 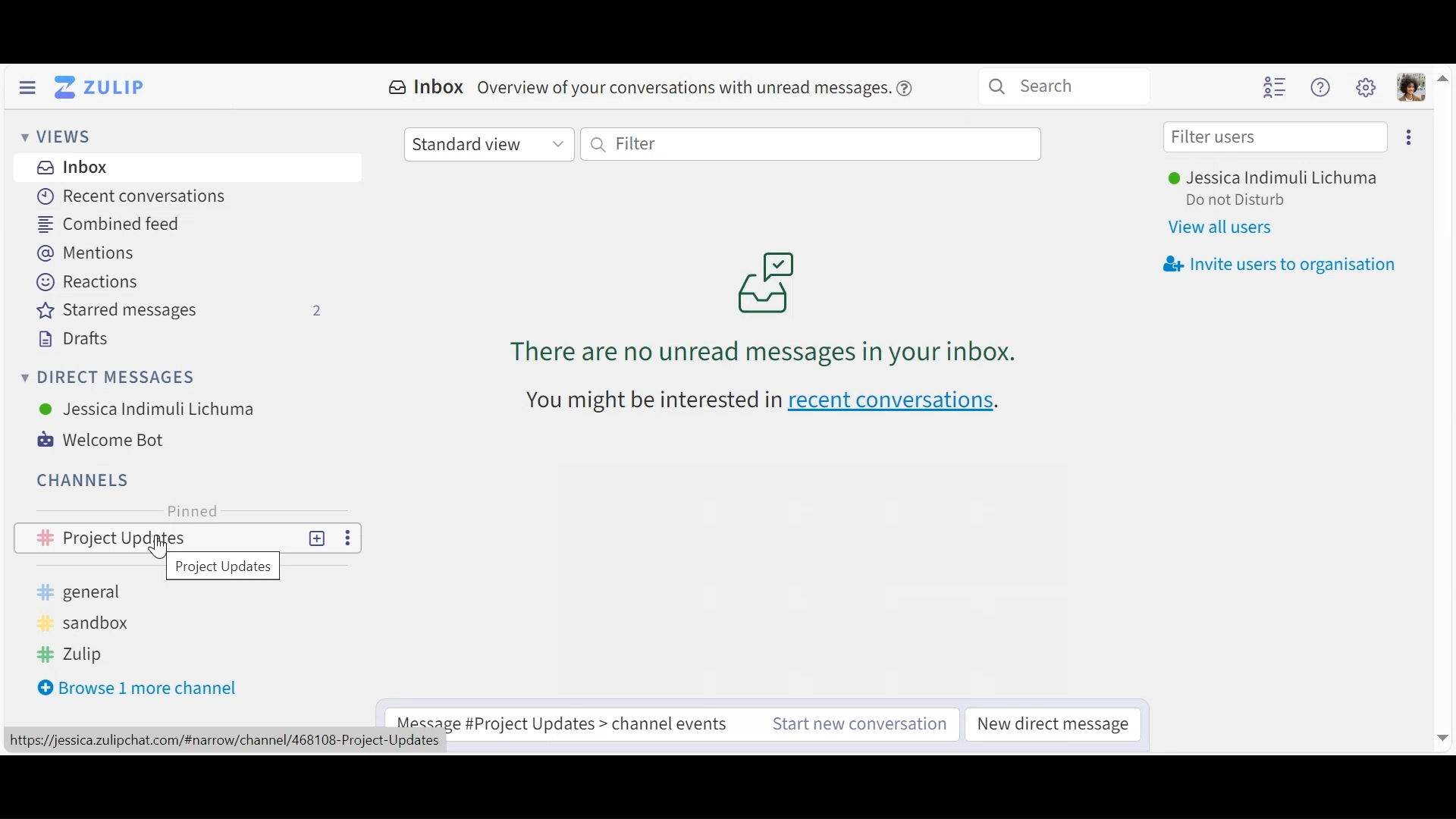 What do you see at coordinates (27, 88) in the screenshot?
I see `Hide Left Sidebar` at bounding box center [27, 88].